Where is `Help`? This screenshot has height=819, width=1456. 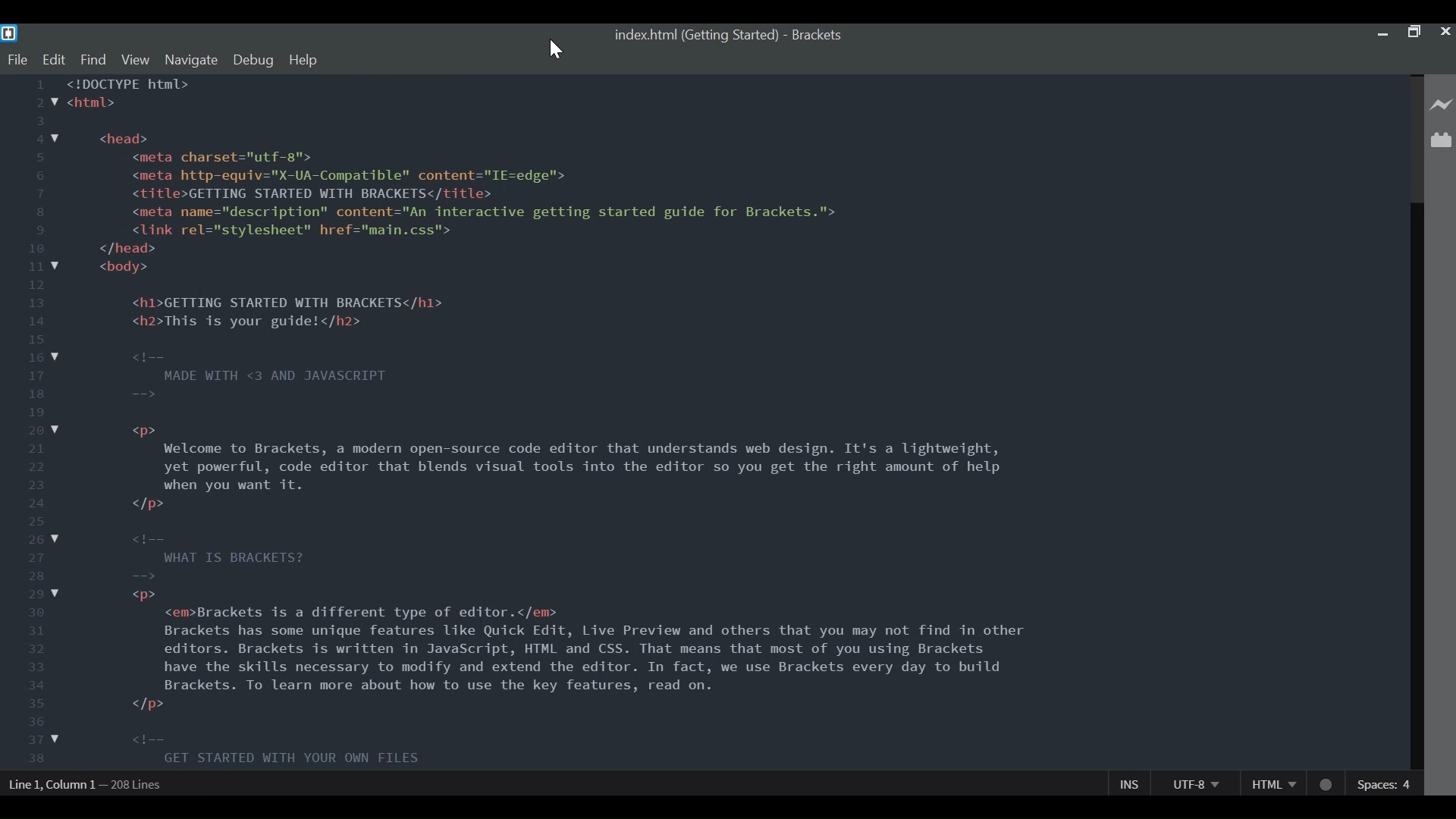
Help is located at coordinates (303, 60).